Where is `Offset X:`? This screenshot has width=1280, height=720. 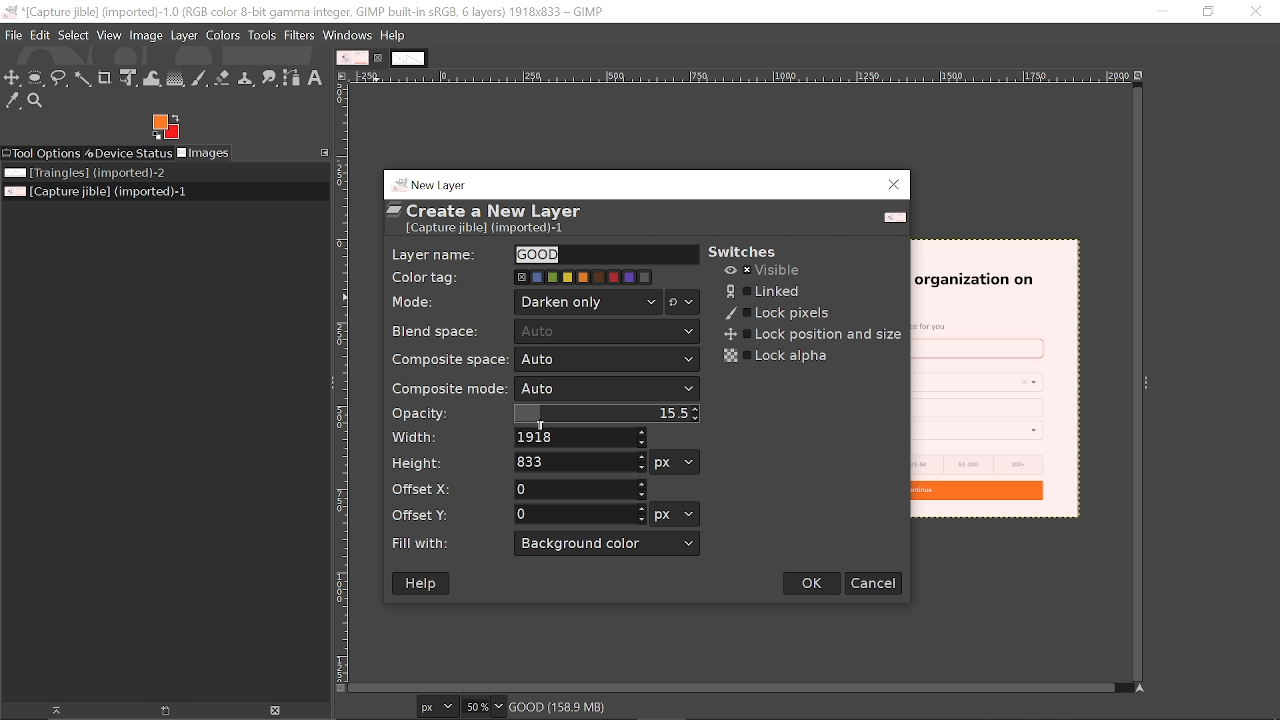
Offset X: is located at coordinates (423, 489).